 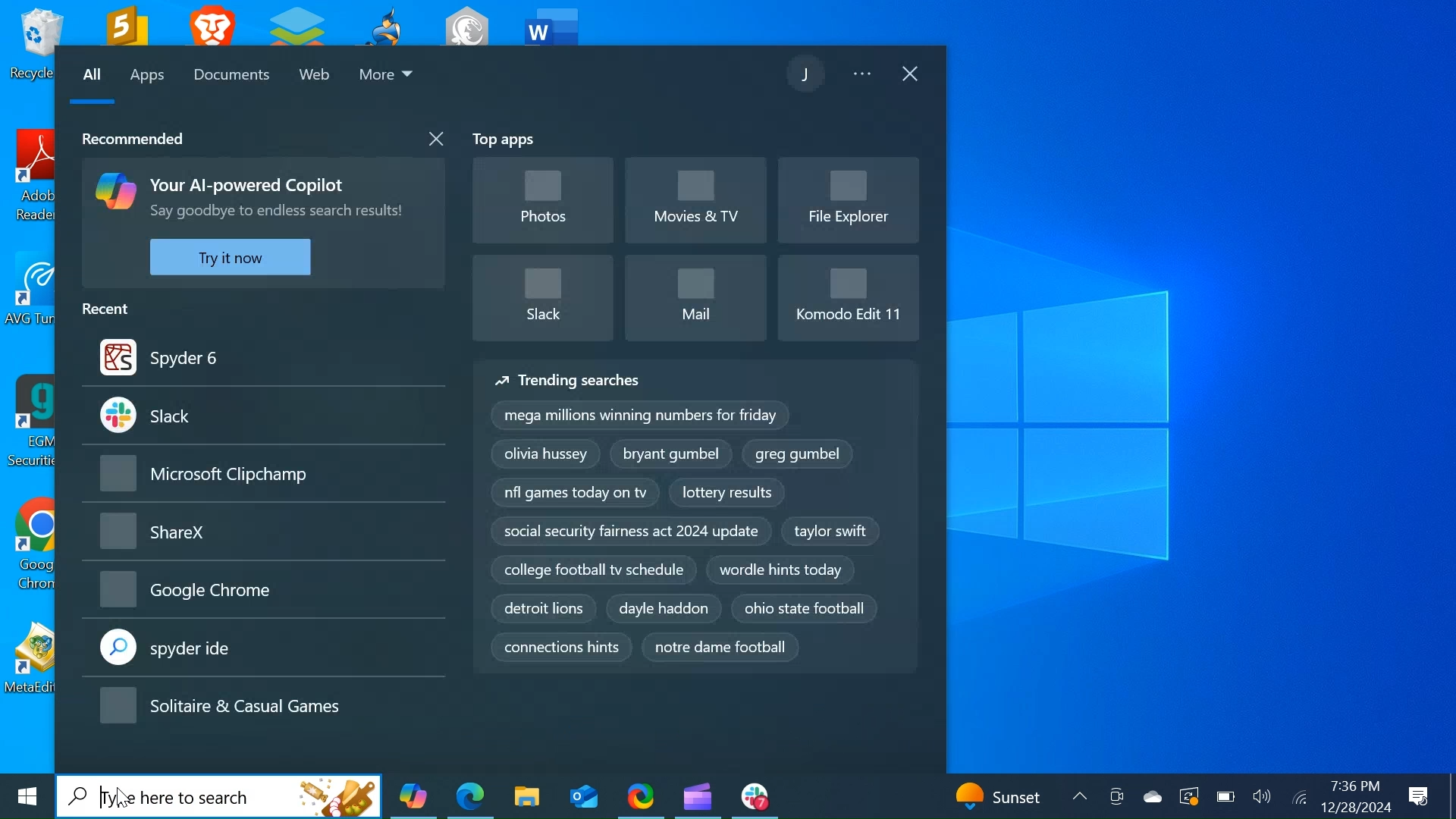 What do you see at coordinates (641, 795) in the screenshot?
I see `ShareX` at bounding box center [641, 795].